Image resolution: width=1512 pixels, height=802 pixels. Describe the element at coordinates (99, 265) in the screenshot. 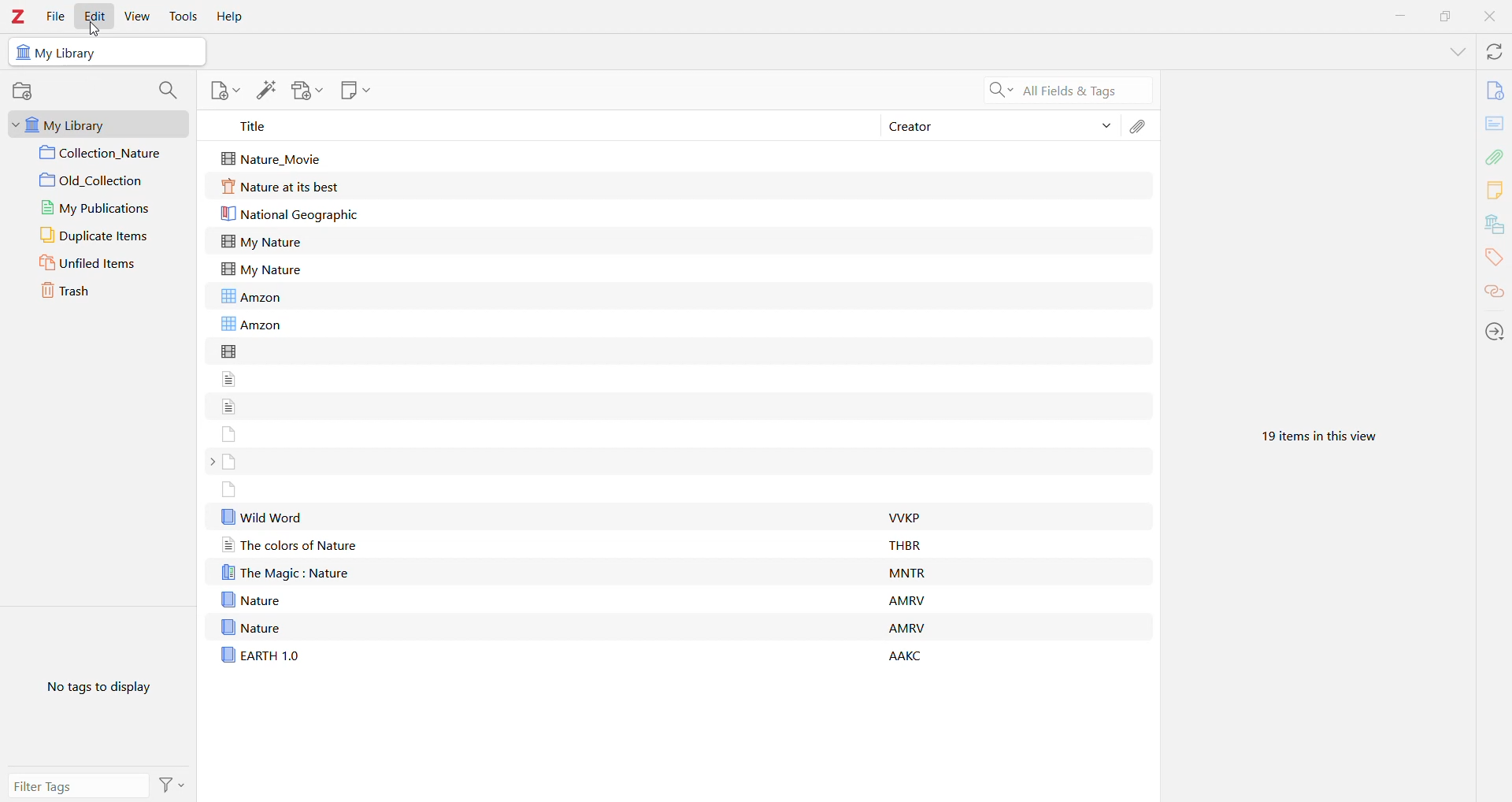

I see `Unfiled Items` at that location.